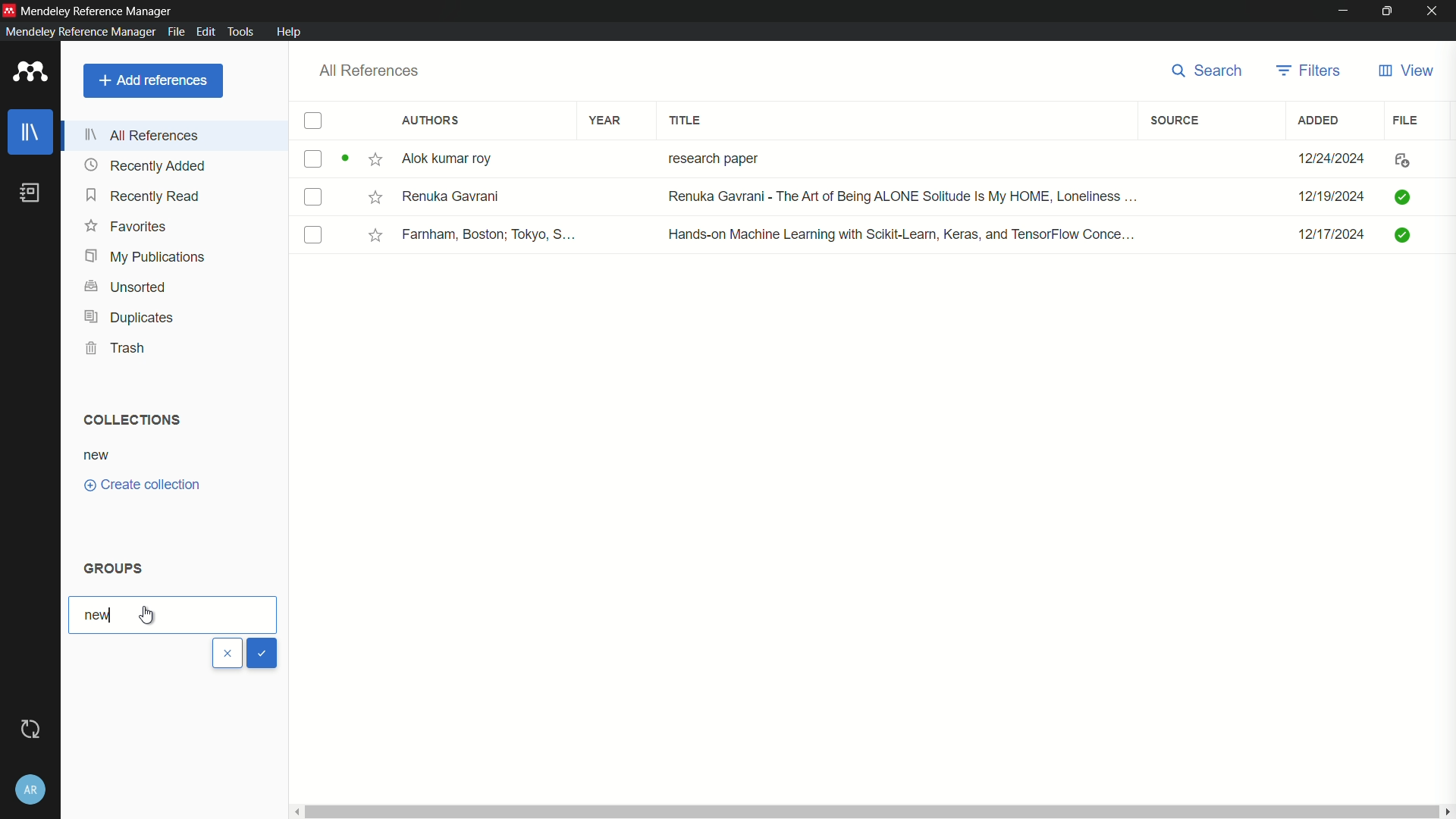 Image resolution: width=1456 pixels, height=819 pixels. I want to click on Famhan, Boston, so click(491, 237).